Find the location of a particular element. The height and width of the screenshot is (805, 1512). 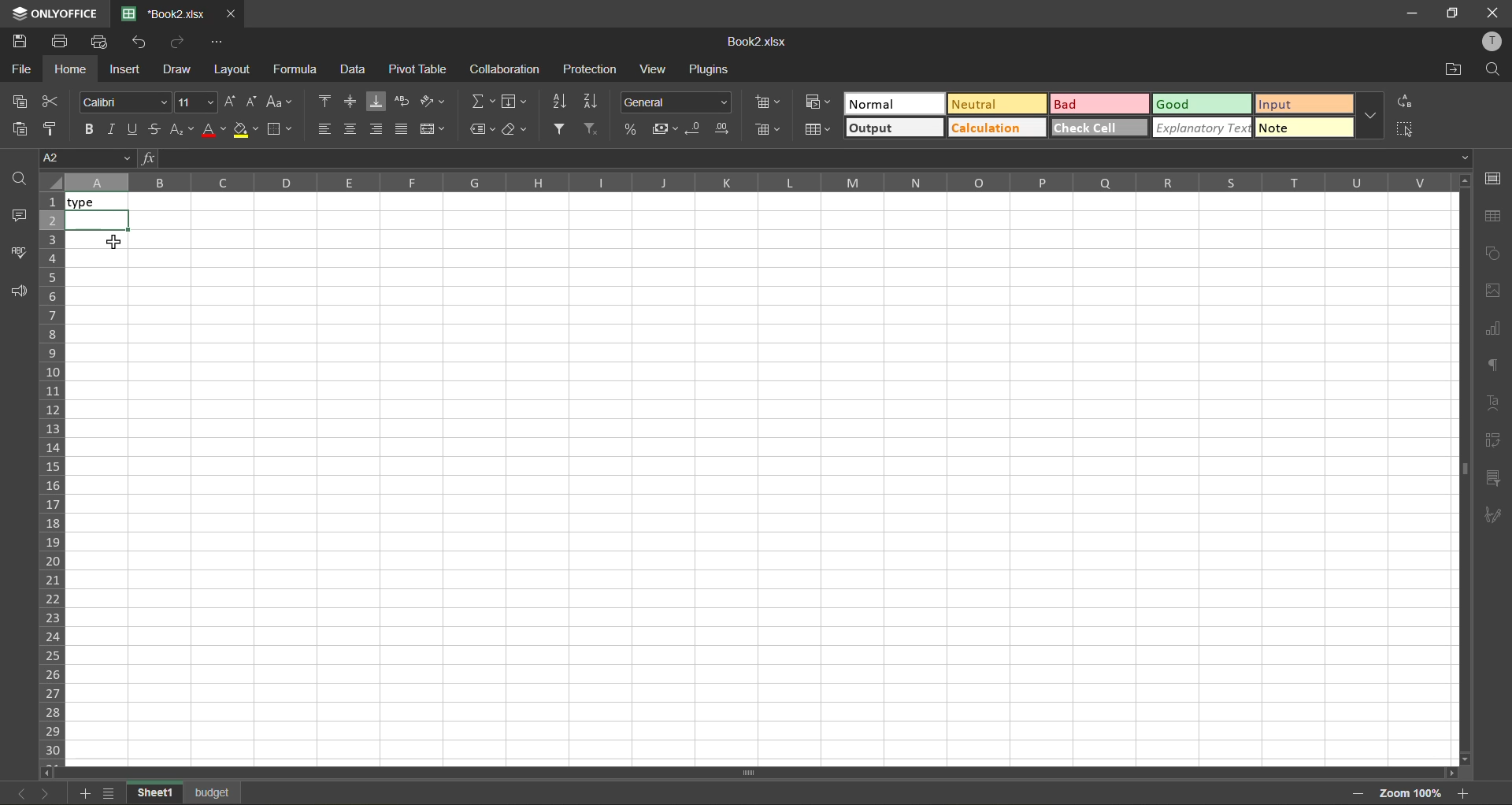

paragraph is located at coordinates (1495, 366).